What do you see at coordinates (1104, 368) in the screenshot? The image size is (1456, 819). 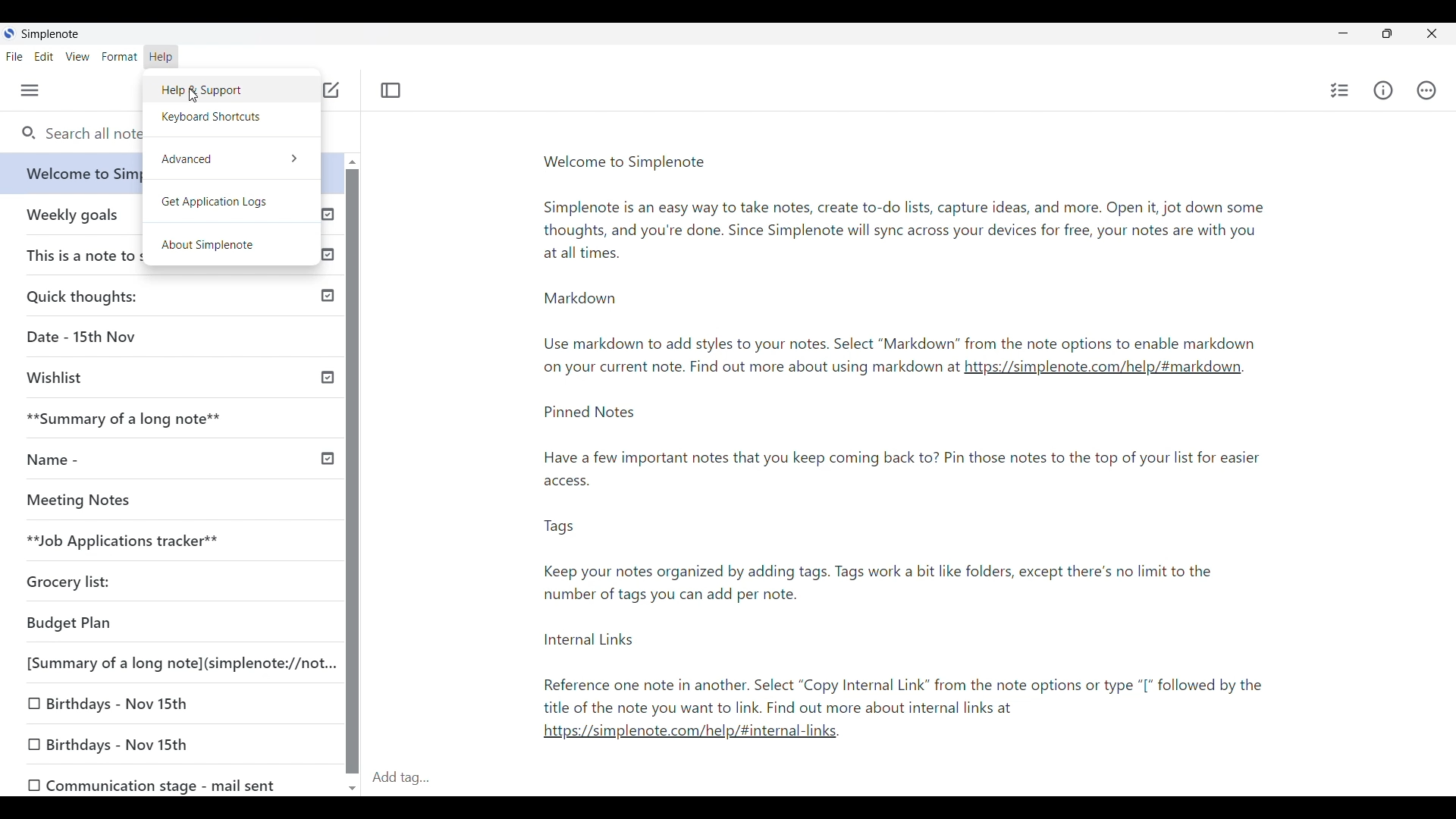 I see `link1` at bounding box center [1104, 368].